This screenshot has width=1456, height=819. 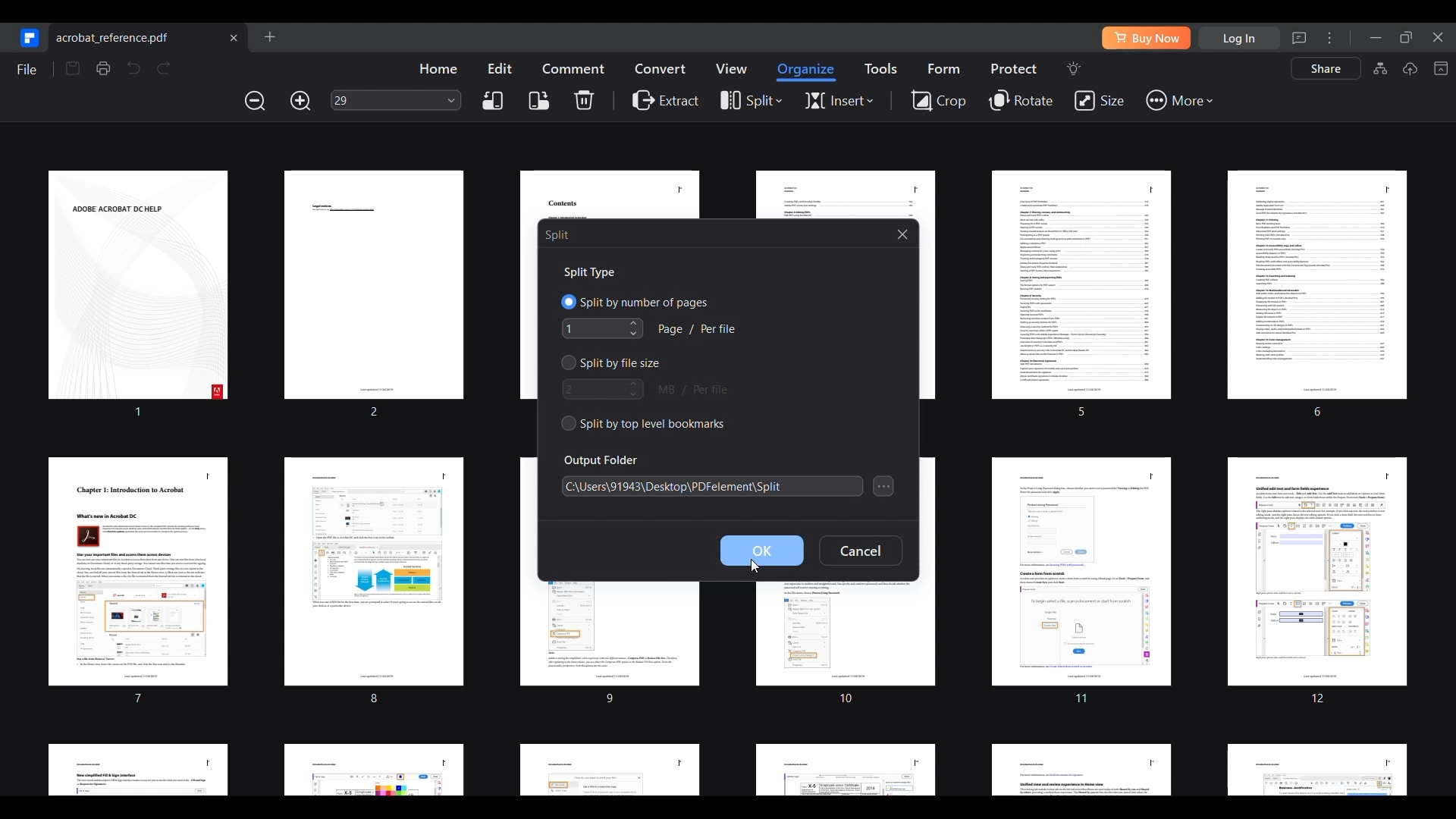 I want to click on Current open file, so click(x=149, y=36).